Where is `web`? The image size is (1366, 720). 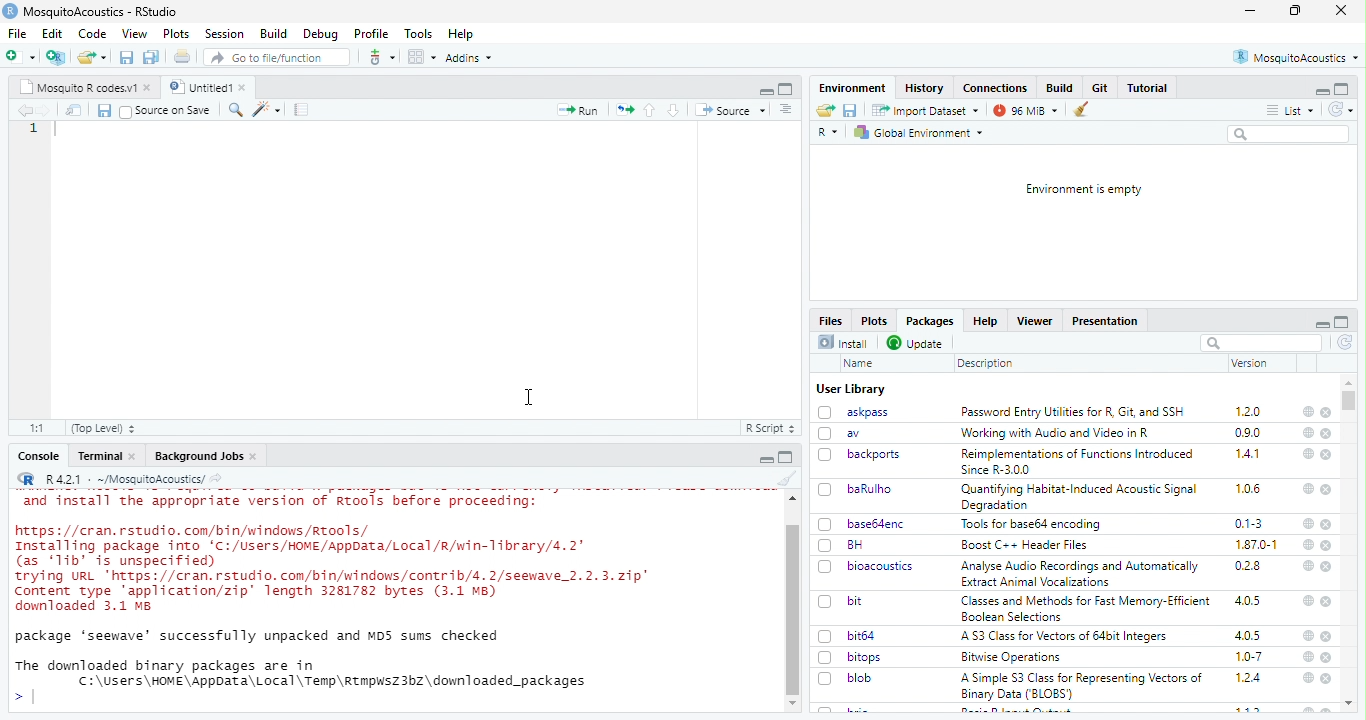 web is located at coordinates (1308, 566).